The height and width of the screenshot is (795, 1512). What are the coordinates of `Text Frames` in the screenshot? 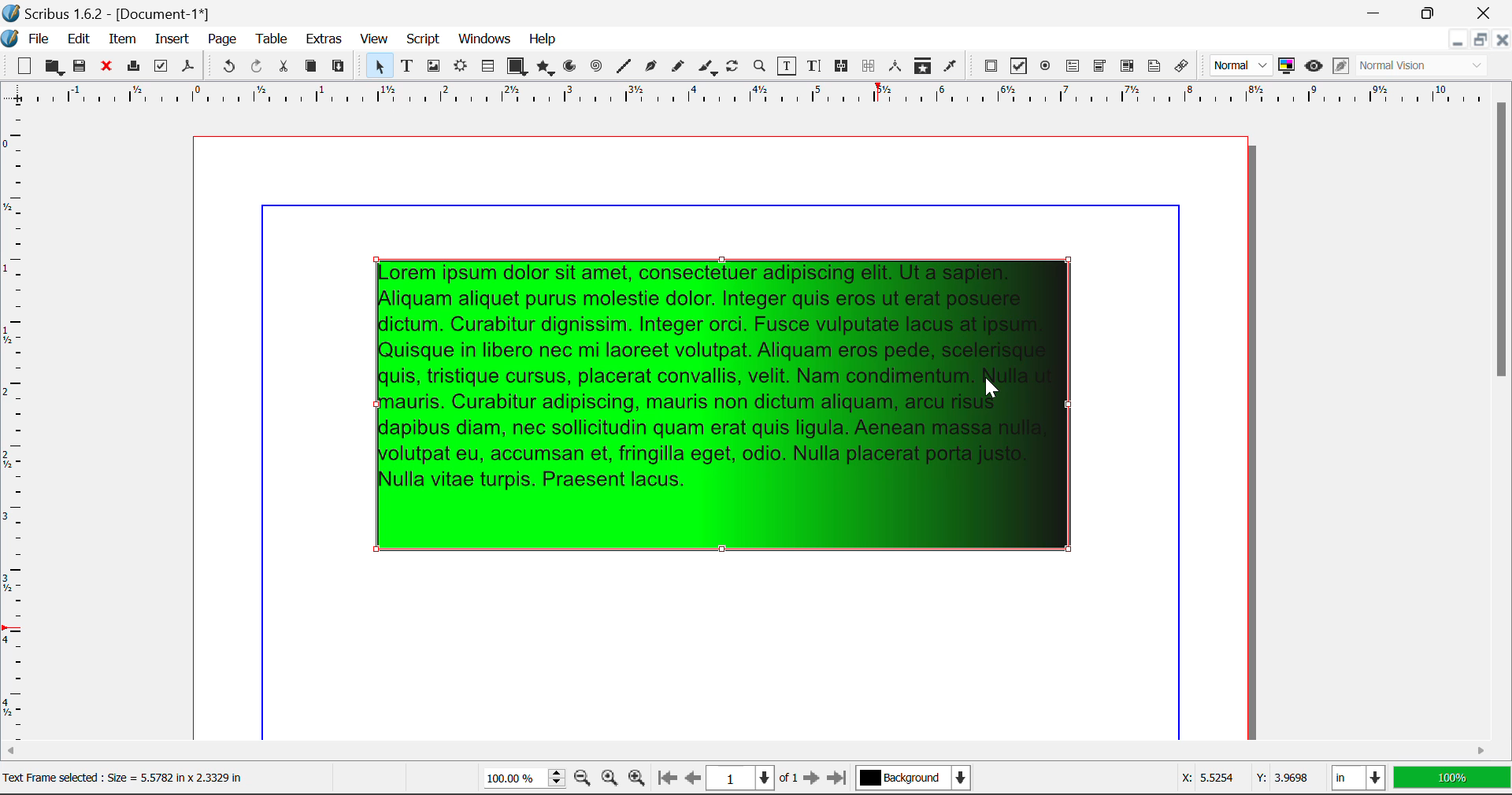 It's located at (407, 68).